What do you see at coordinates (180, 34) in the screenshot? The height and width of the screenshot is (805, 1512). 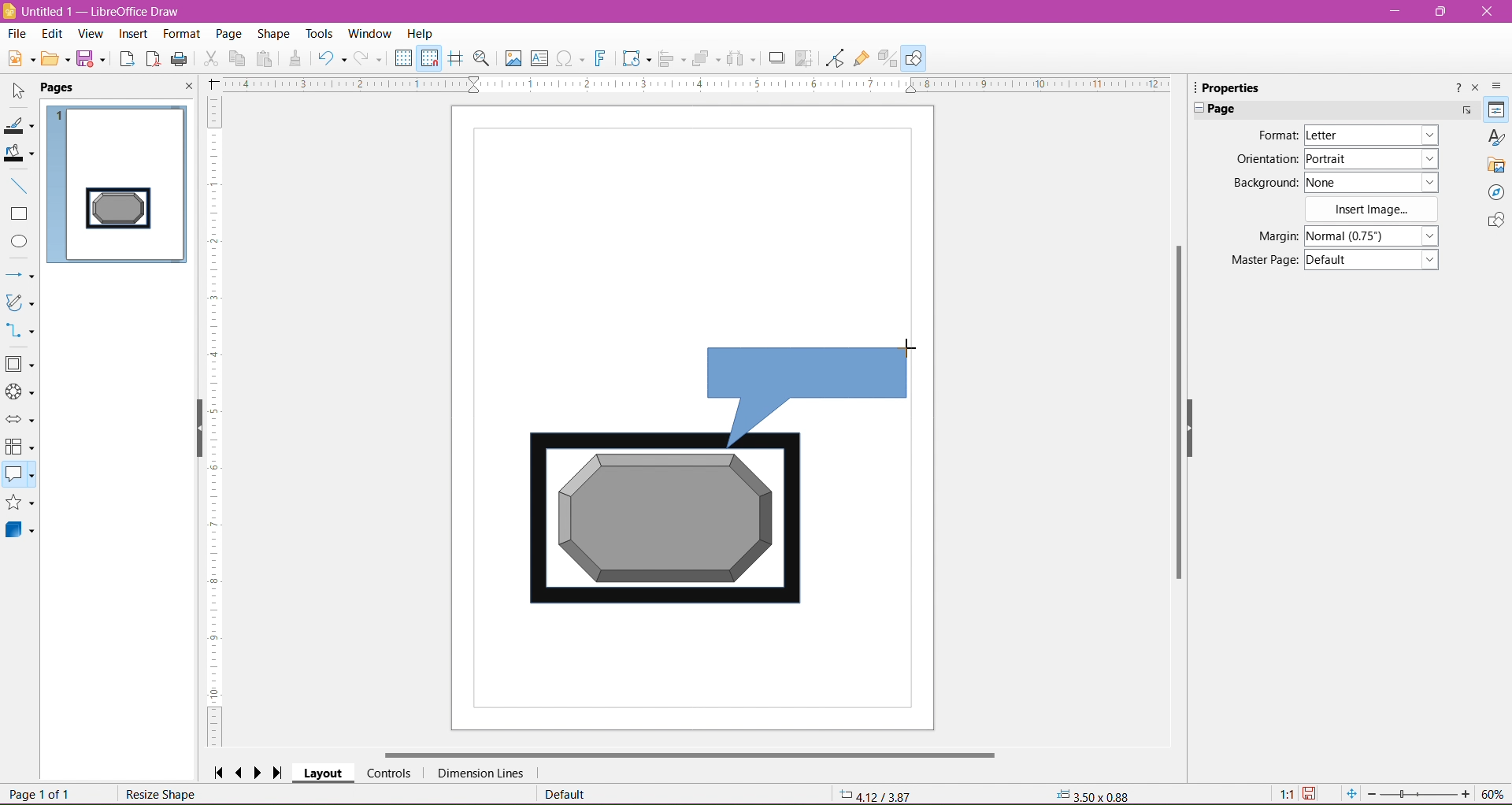 I see `Format` at bounding box center [180, 34].